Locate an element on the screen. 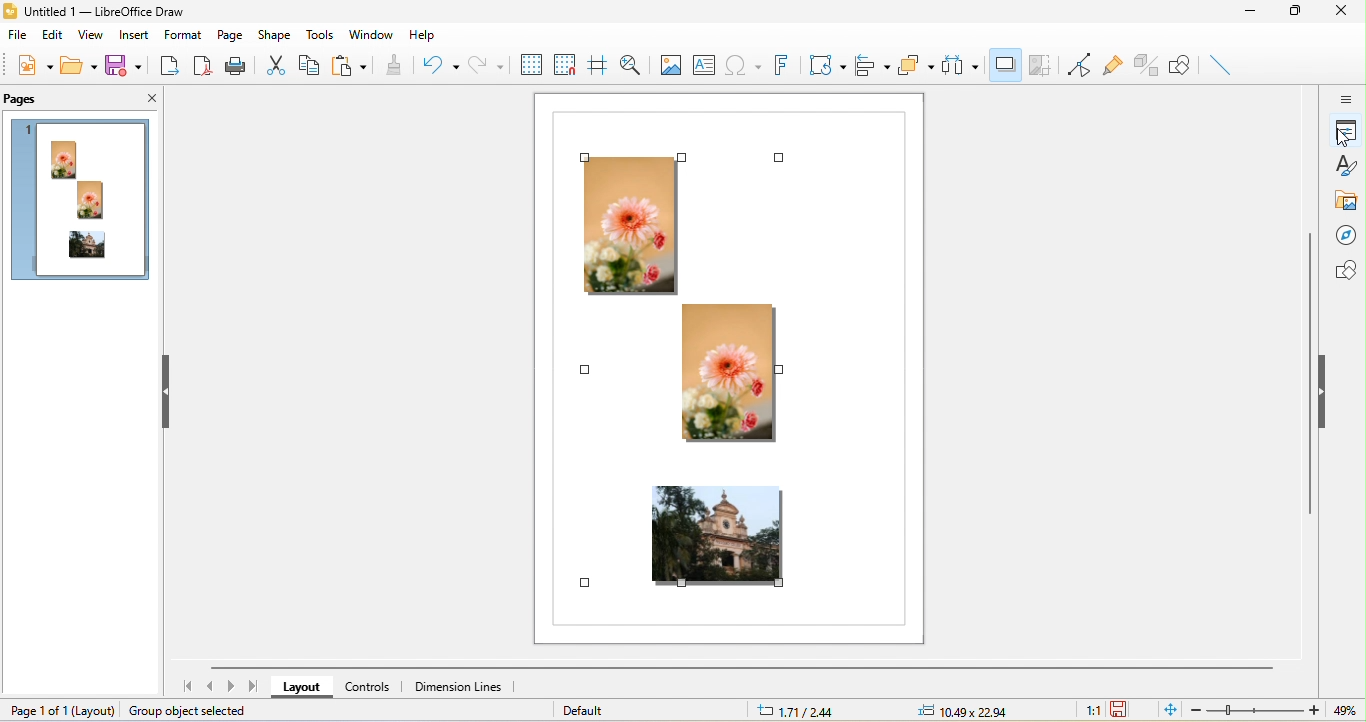 The image size is (1366, 722). group object selected is located at coordinates (198, 711).